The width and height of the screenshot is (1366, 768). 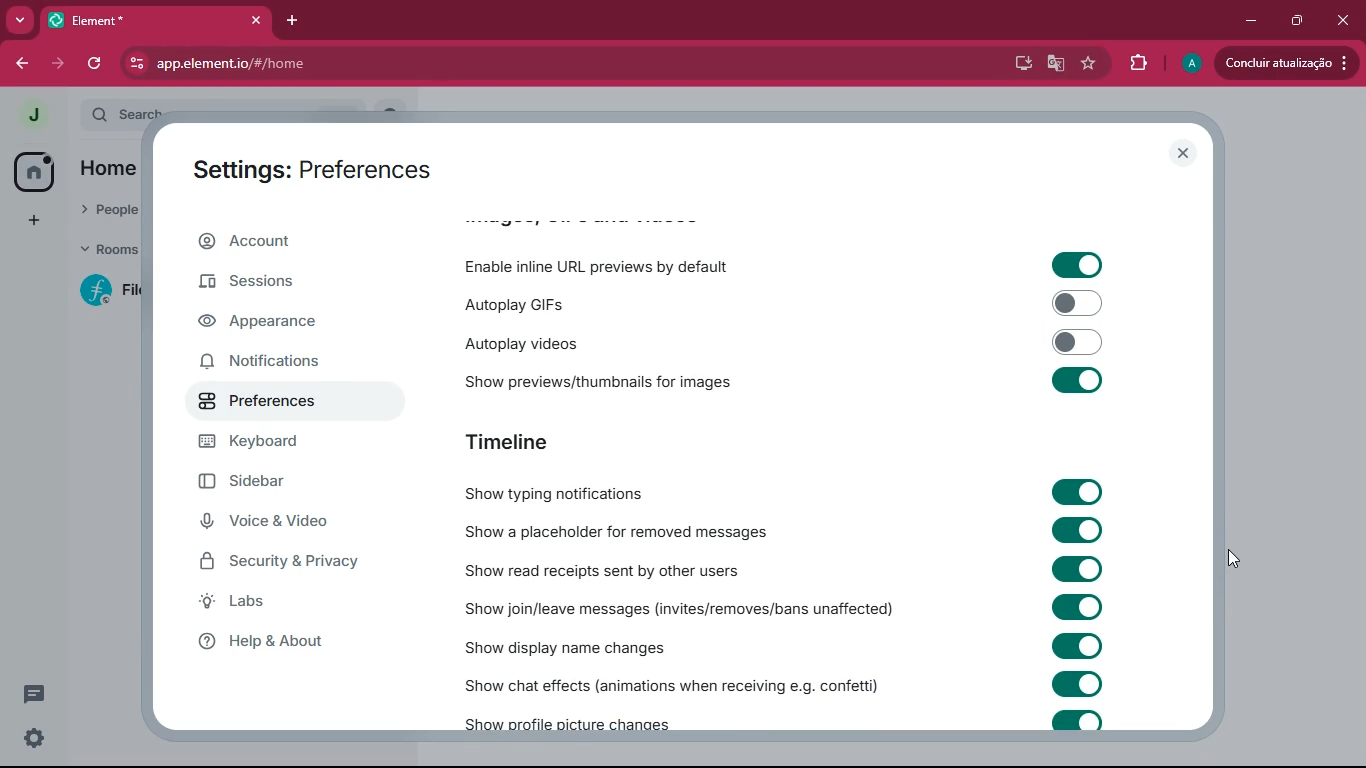 I want to click on notifications, so click(x=275, y=362).